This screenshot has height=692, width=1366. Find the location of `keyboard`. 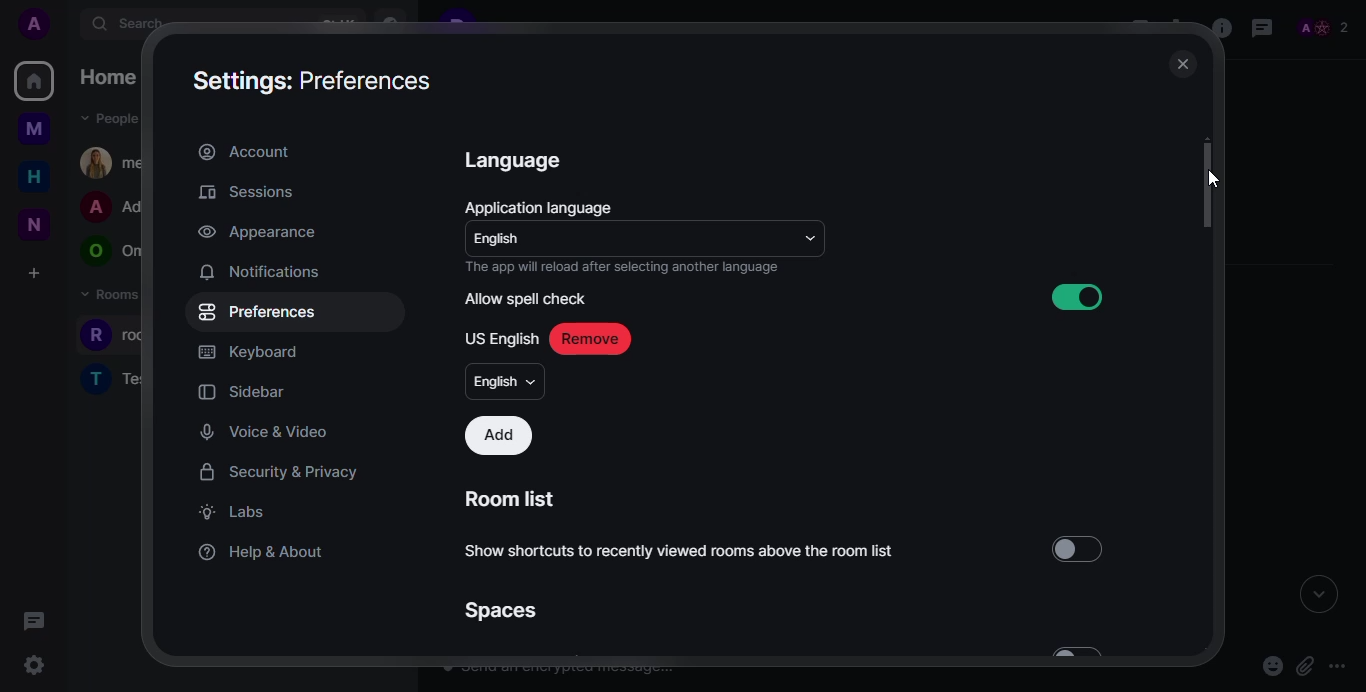

keyboard is located at coordinates (248, 352).